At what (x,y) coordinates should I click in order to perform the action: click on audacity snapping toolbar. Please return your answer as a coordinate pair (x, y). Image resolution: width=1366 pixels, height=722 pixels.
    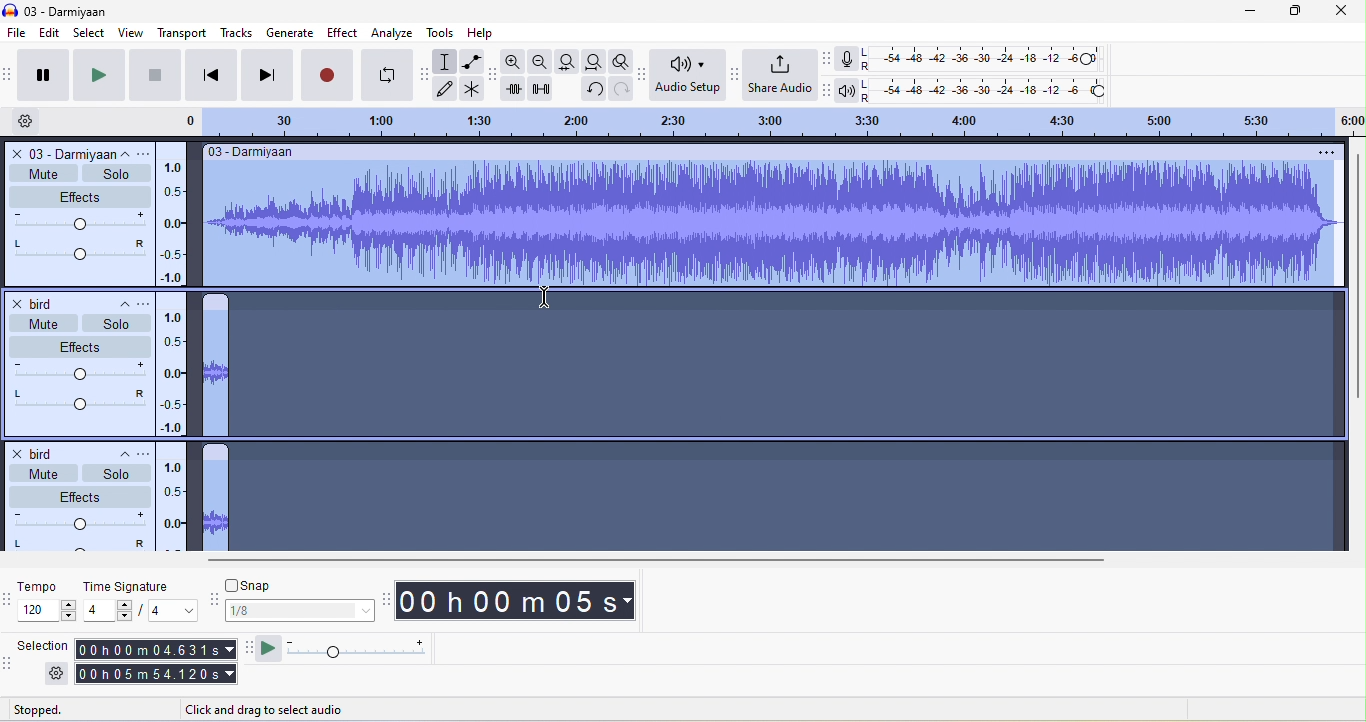
    Looking at the image, I should click on (210, 601).